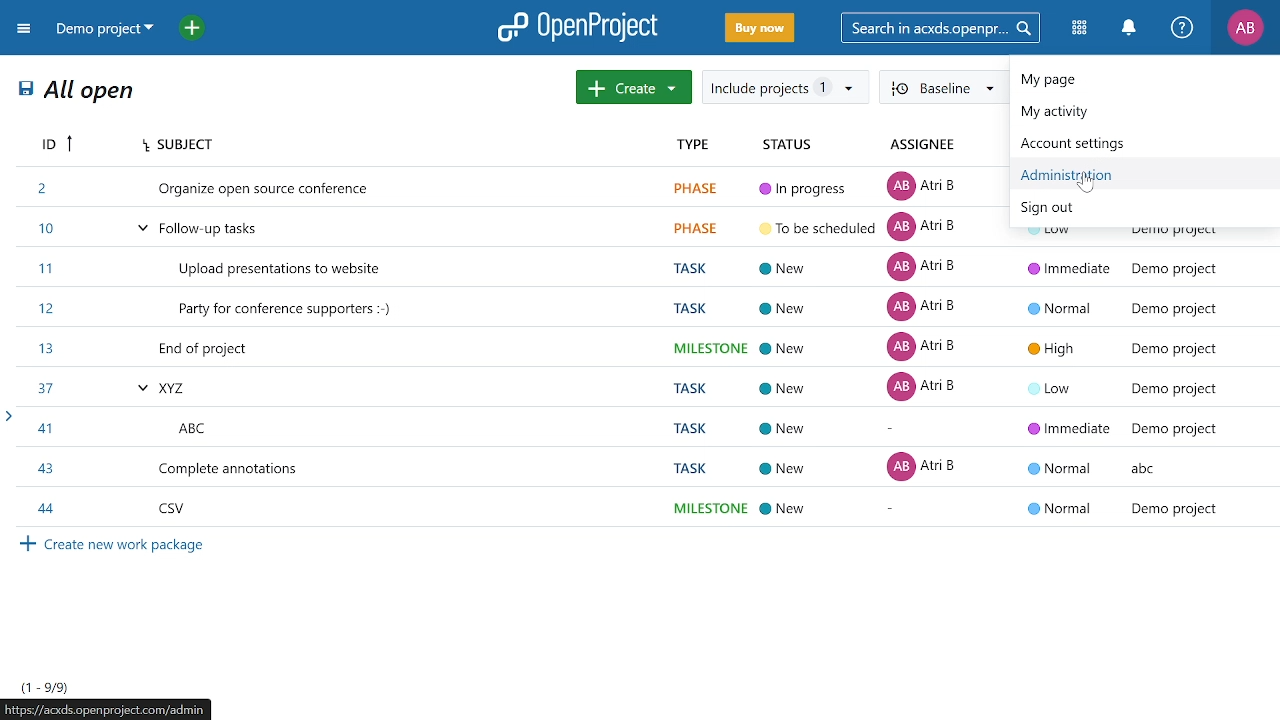 This screenshot has width=1280, height=720. What do you see at coordinates (27, 32) in the screenshot?
I see `Open Menu` at bounding box center [27, 32].